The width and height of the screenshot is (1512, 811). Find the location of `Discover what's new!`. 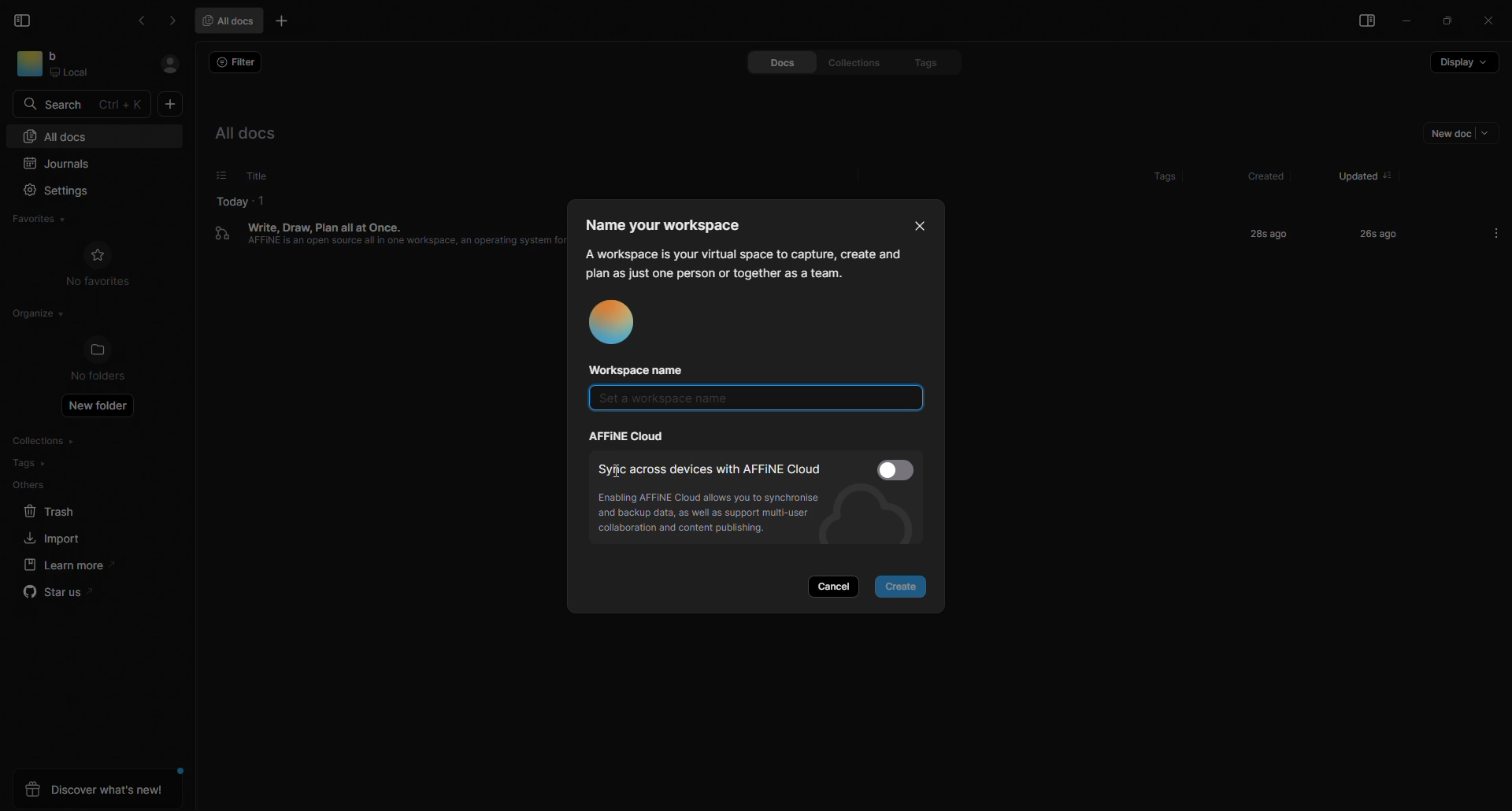

Discover what's new! is located at coordinates (97, 790).